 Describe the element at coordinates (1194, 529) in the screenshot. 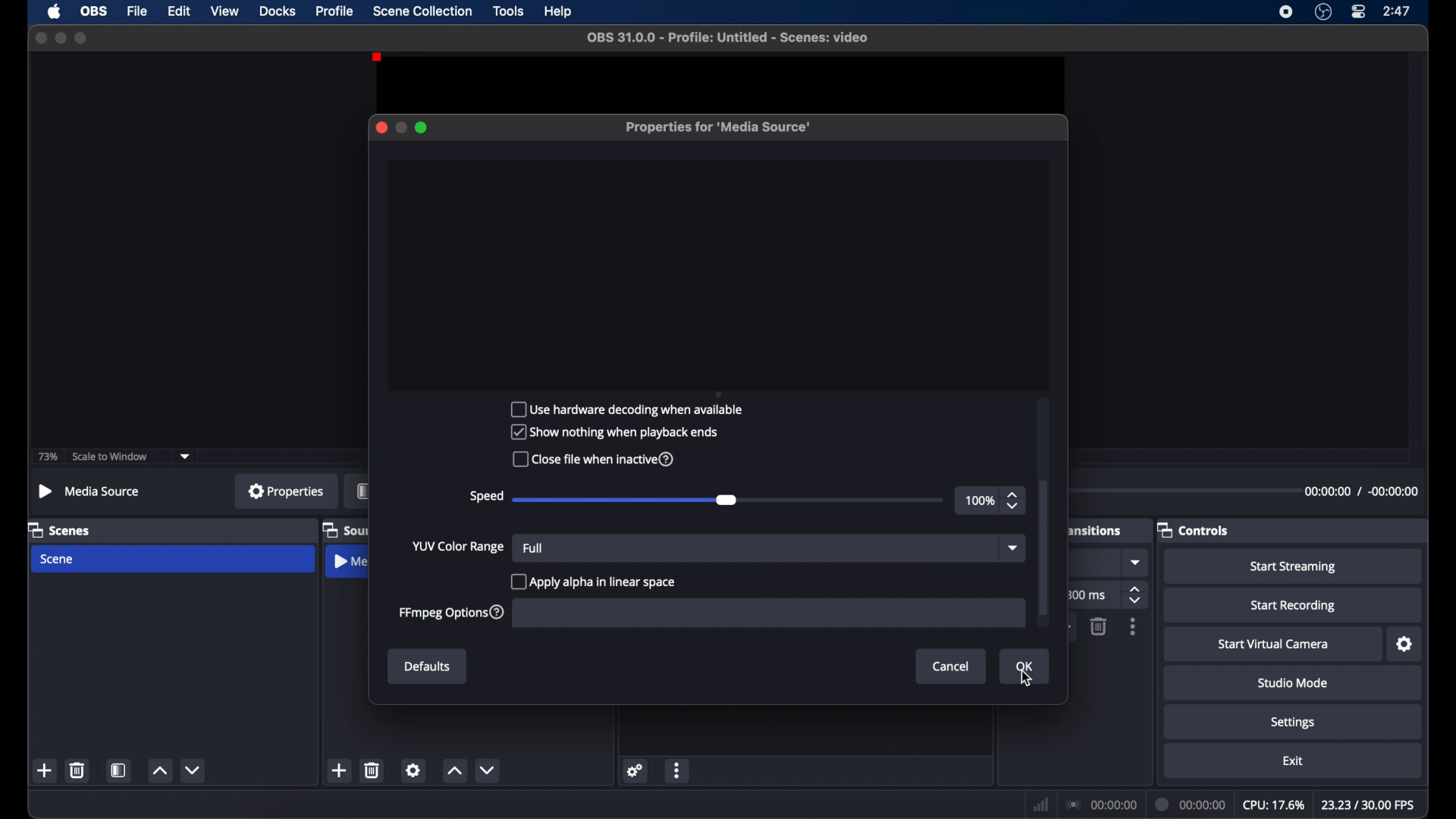

I see `controls` at that location.